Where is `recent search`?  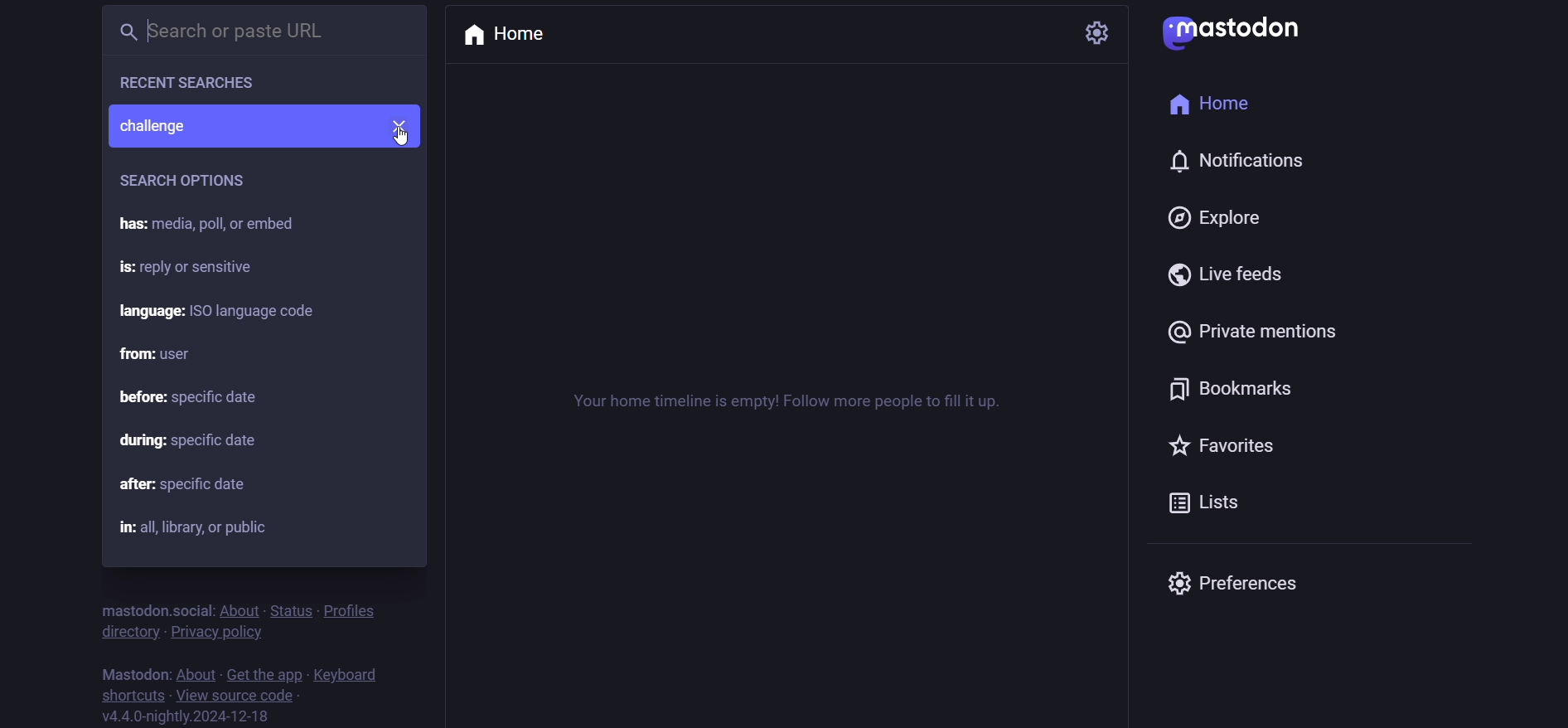 recent search is located at coordinates (192, 81).